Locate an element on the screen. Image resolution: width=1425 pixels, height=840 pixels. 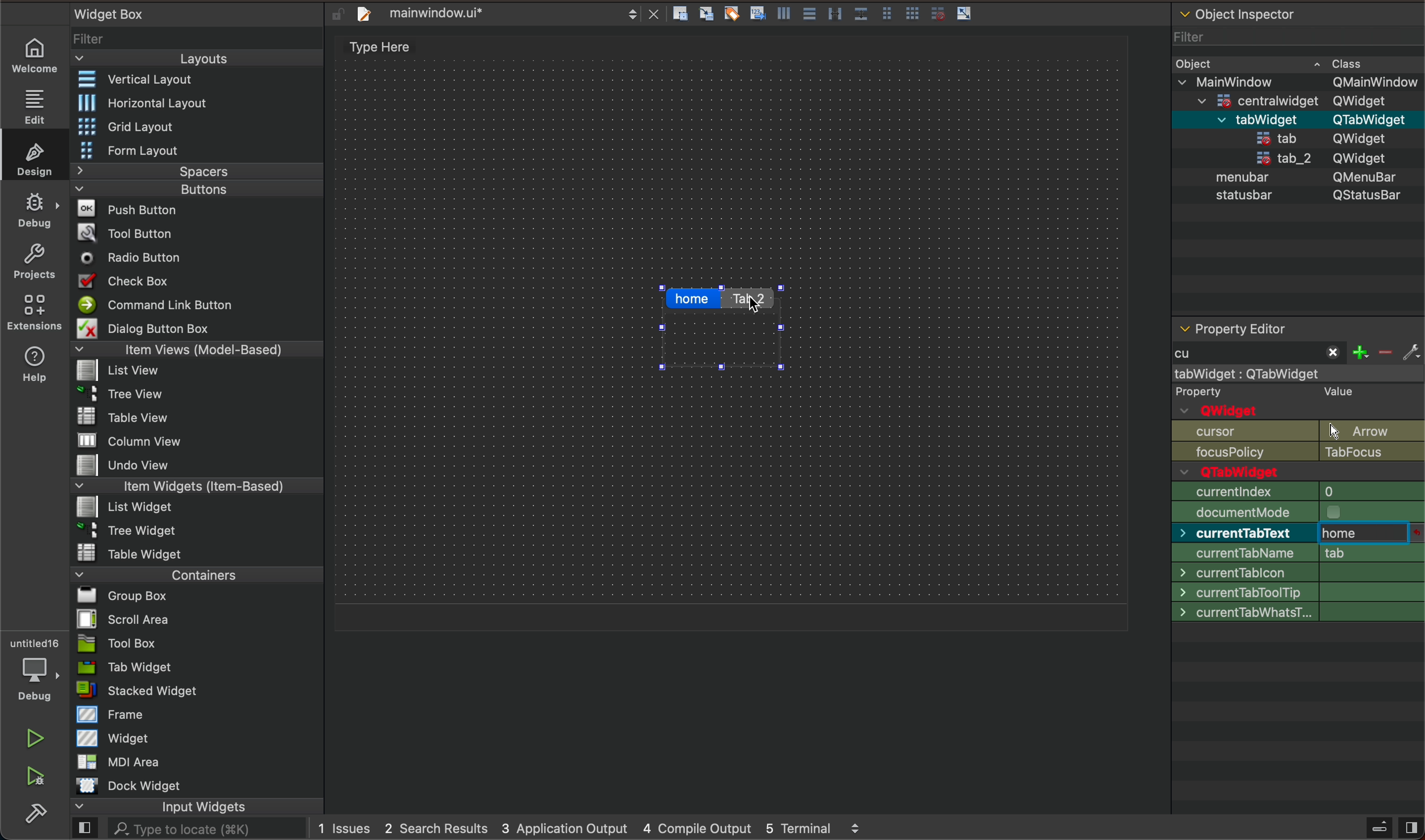
start typing is located at coordinates (1264, 355).